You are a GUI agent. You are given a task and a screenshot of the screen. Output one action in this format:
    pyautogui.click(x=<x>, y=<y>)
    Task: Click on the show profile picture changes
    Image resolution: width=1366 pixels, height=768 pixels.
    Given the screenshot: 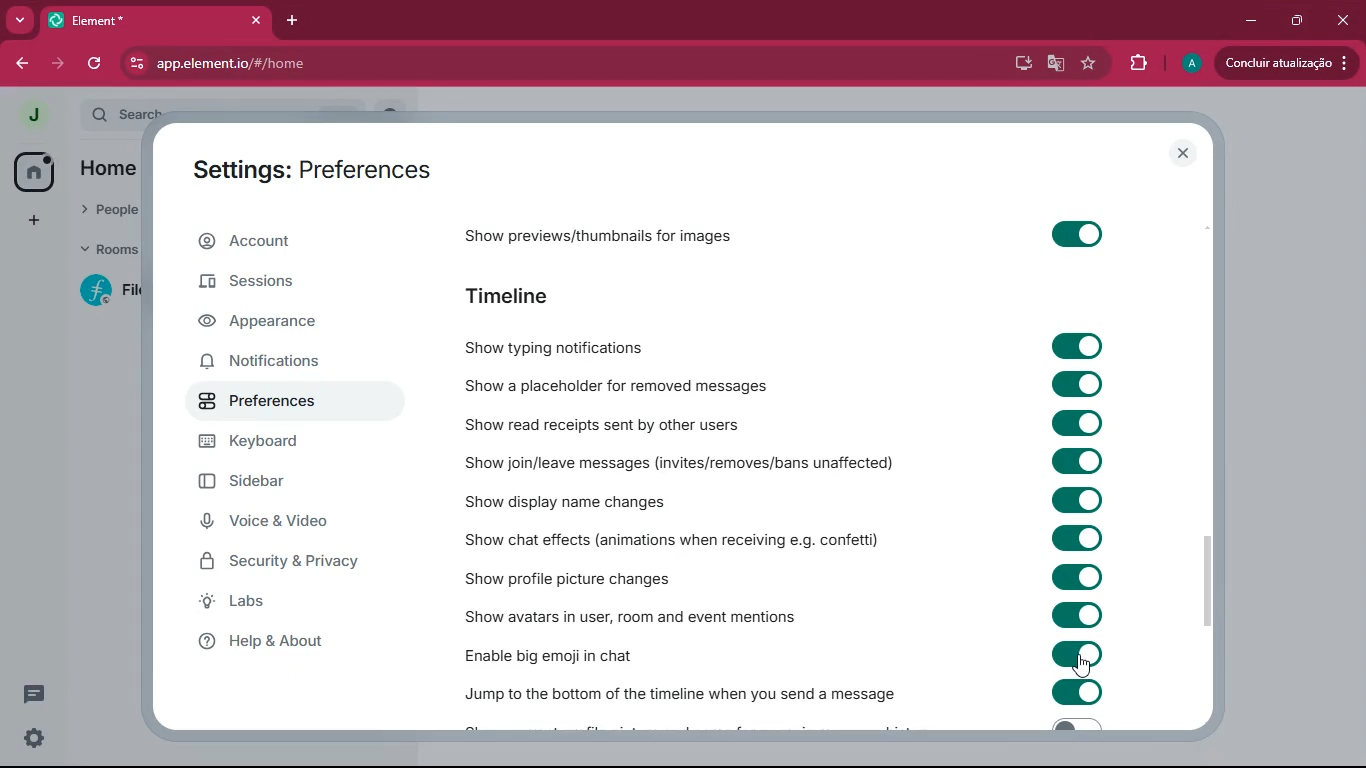 What is the action you would take?
    pyautogui.click(x=581, y=576)
    